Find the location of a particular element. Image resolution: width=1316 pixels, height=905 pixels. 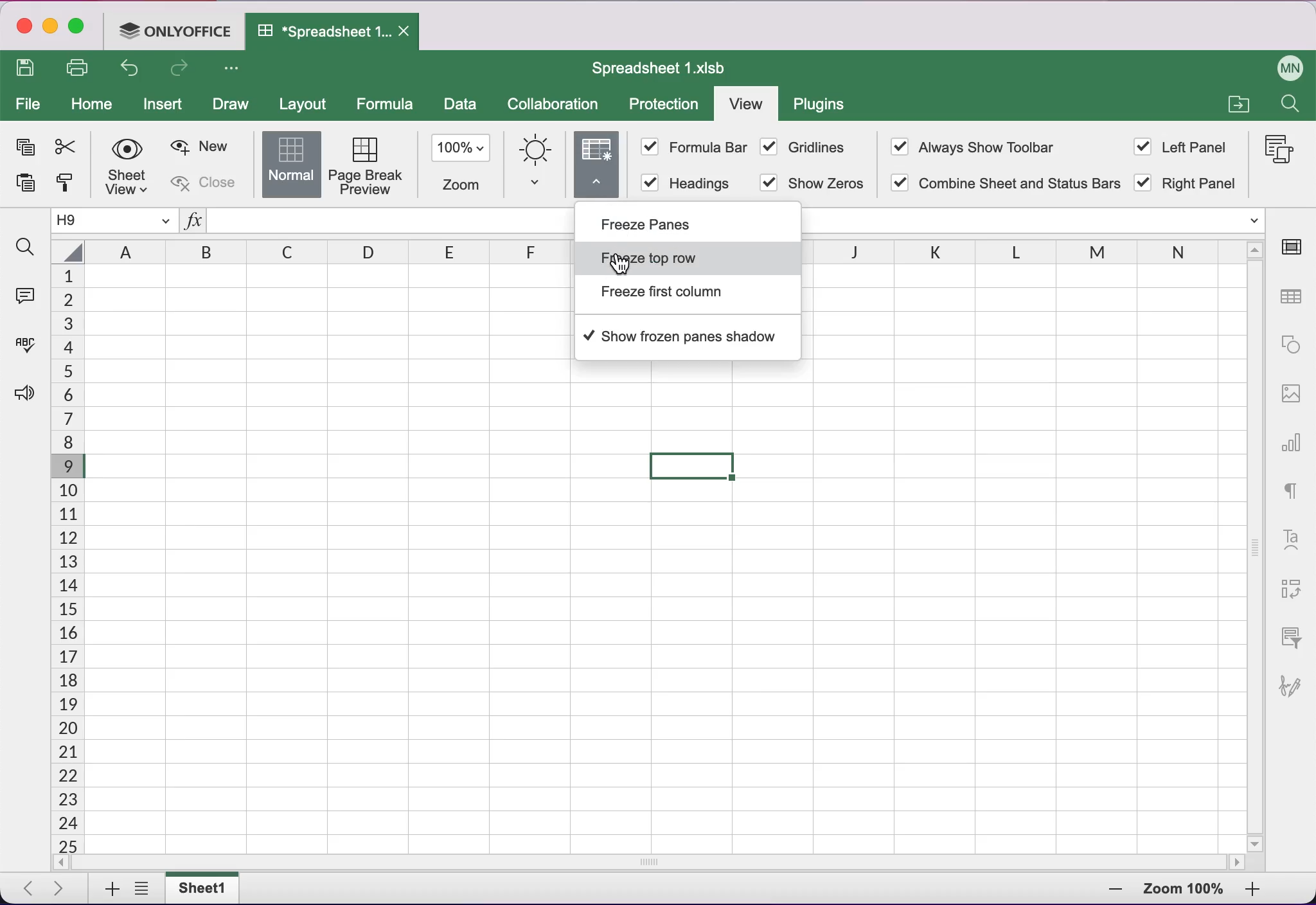

zoom out is located at coordinates (1265, 892).